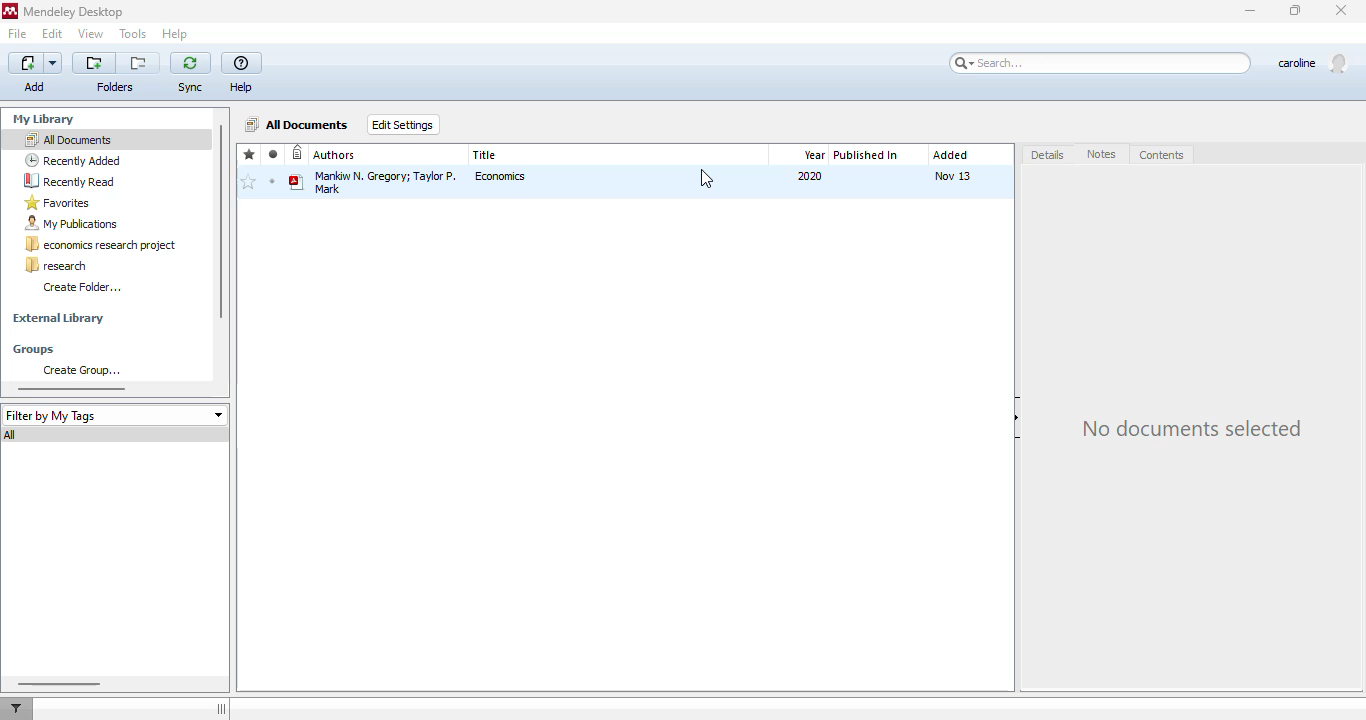 The height and width of the screenshot is (720, 1366). I want to click on Nov 13, so click(953, 177).